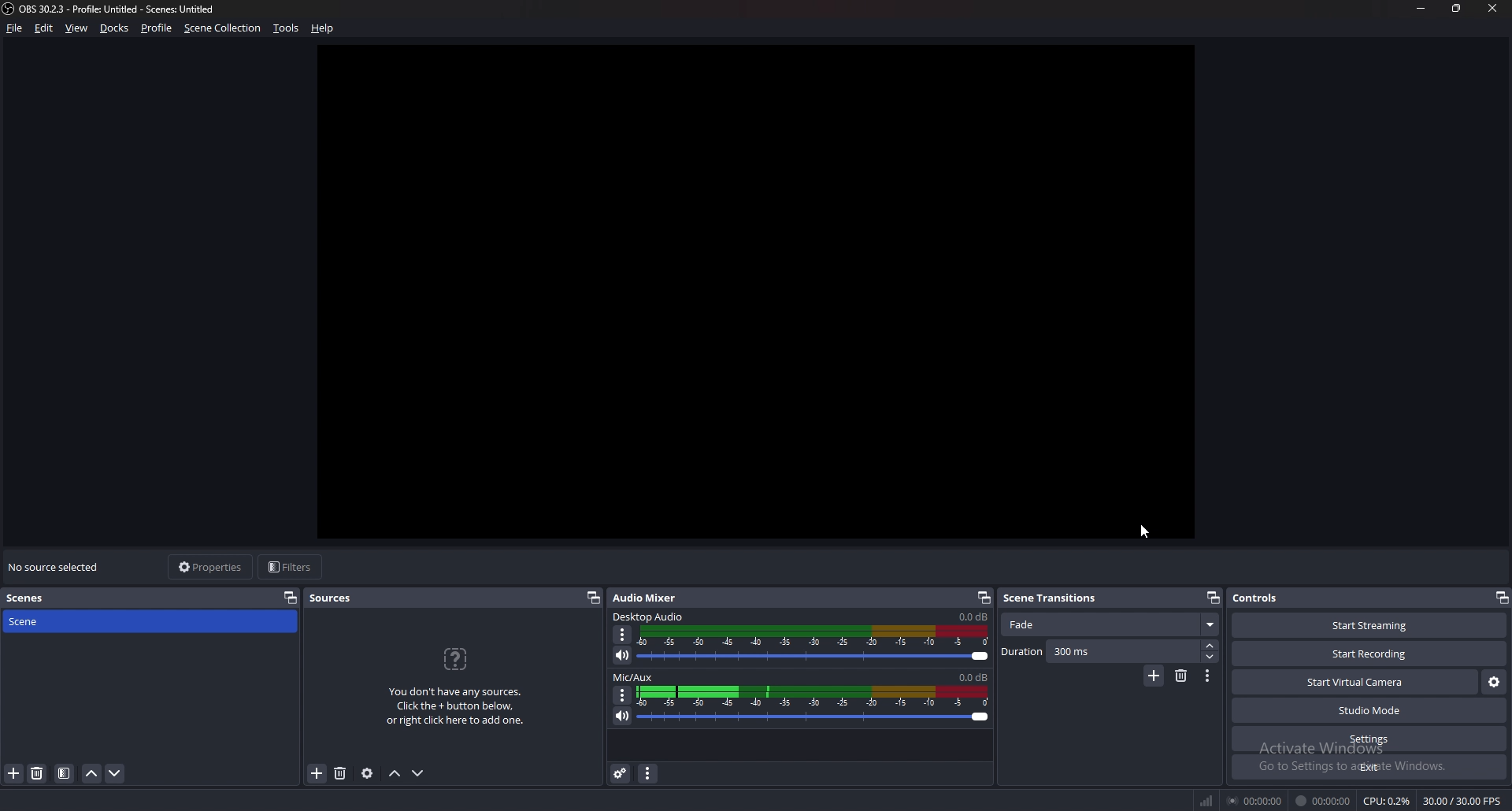 The height and width of the screenshot is (811, 1512). Describe the element at coordinates (64, 774) in the screenshot. I see `filter` at that location.